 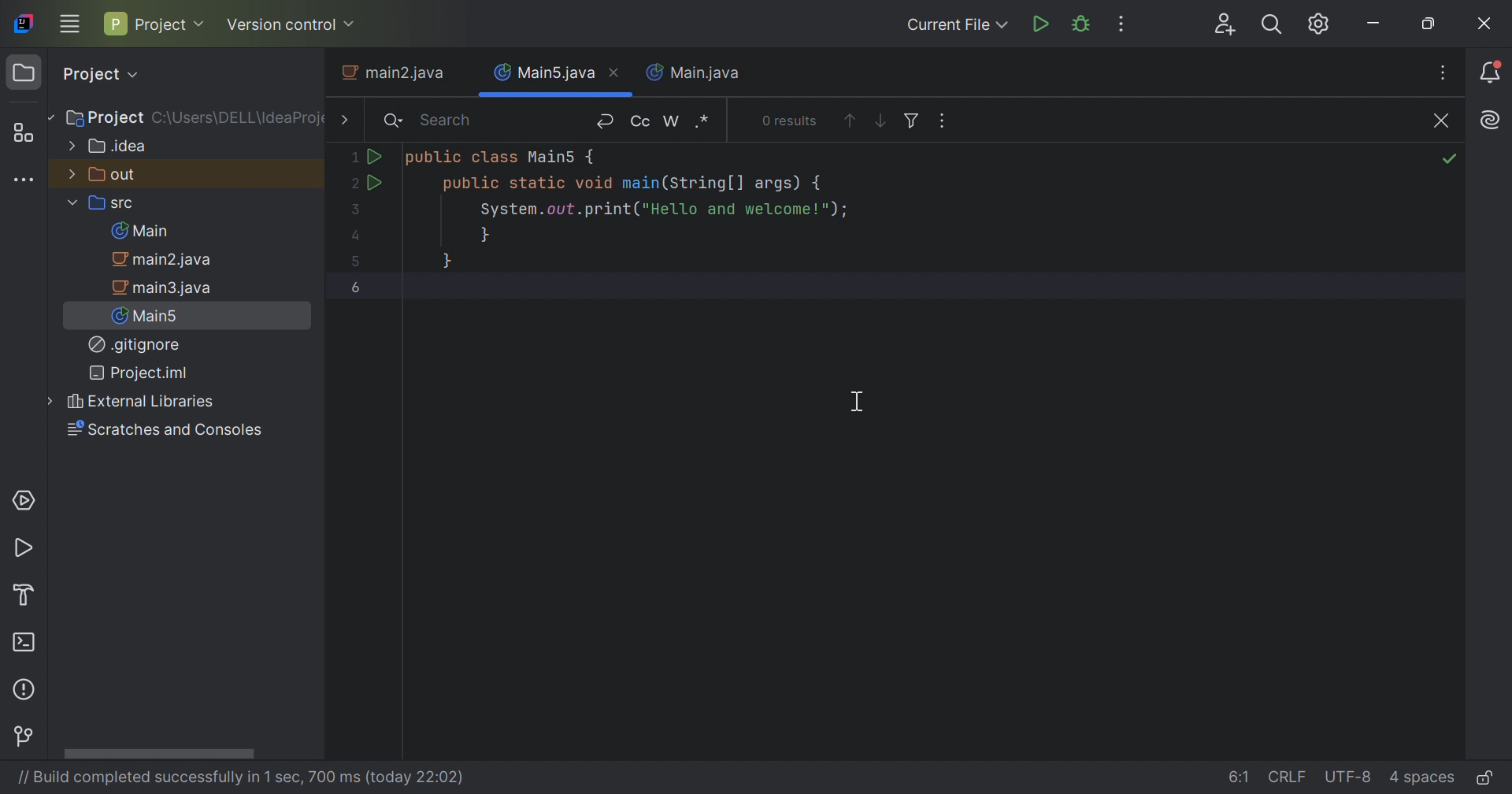 What do you see at coordinates (913, 119) in the screenshot?
I see `Filter Search results` at bounding box center [913, 119].